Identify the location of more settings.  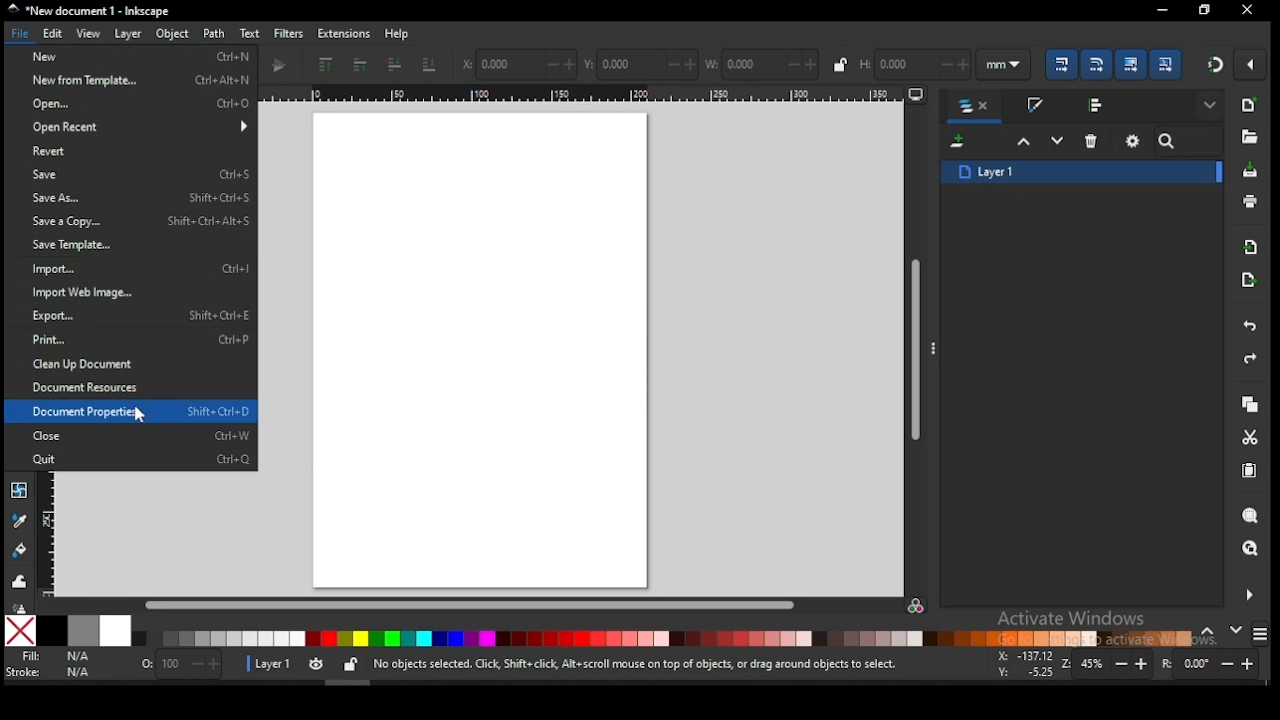
(1247, 595).